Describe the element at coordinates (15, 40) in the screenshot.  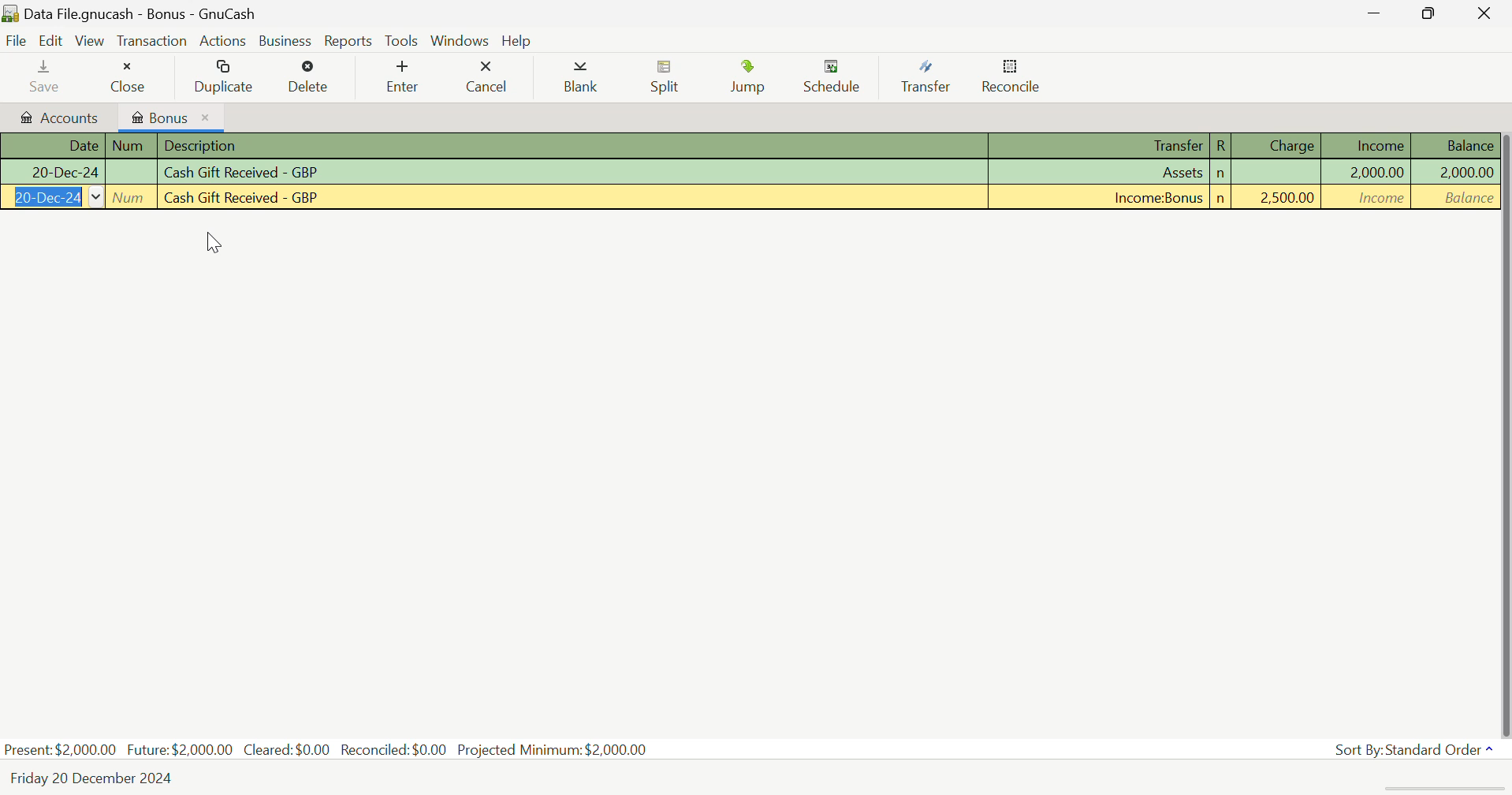
I see `File` at that location.